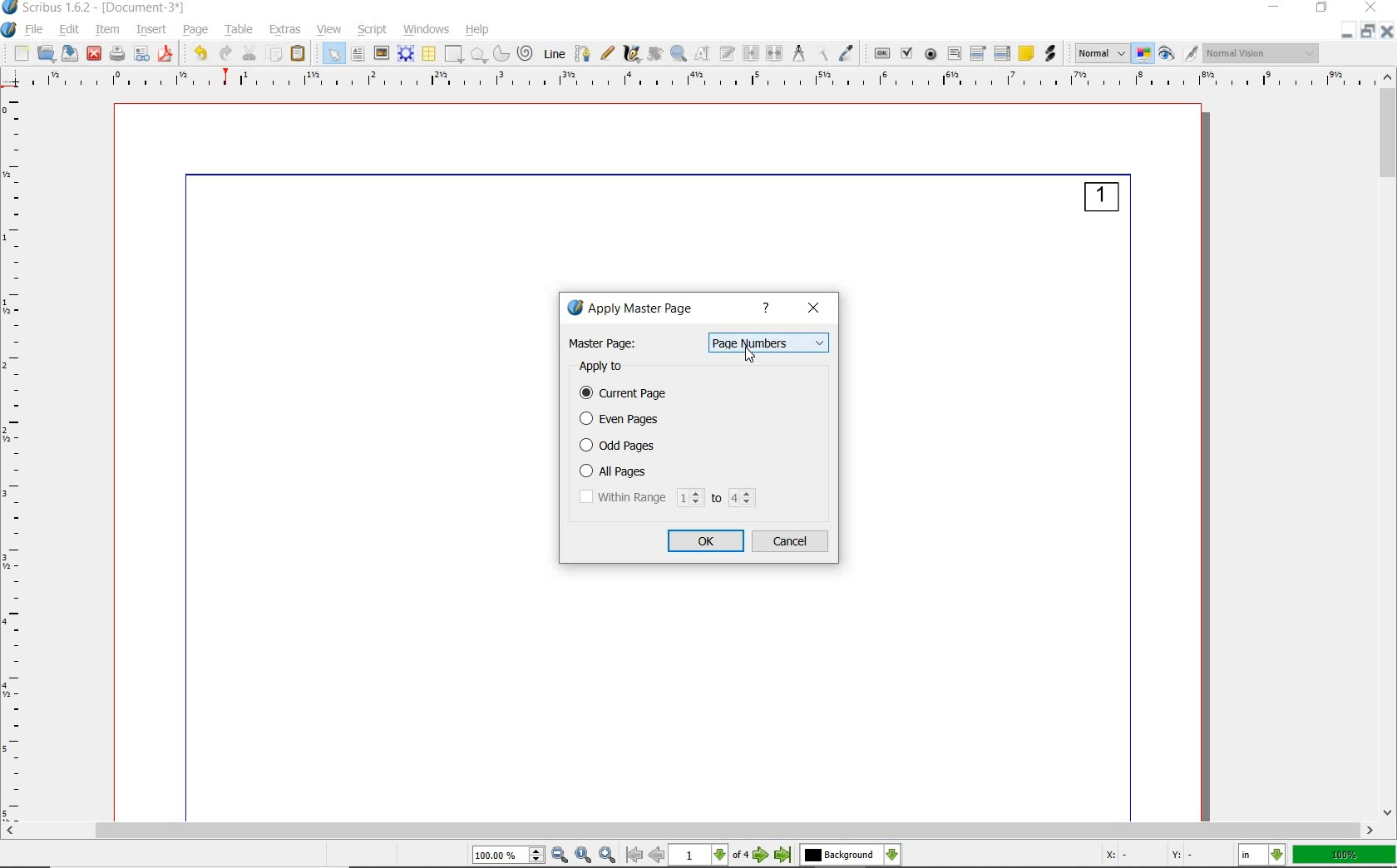 Image resolution: width=1397 pixels, height=868 pixels. I want to click on all pages, so click(636, 471).